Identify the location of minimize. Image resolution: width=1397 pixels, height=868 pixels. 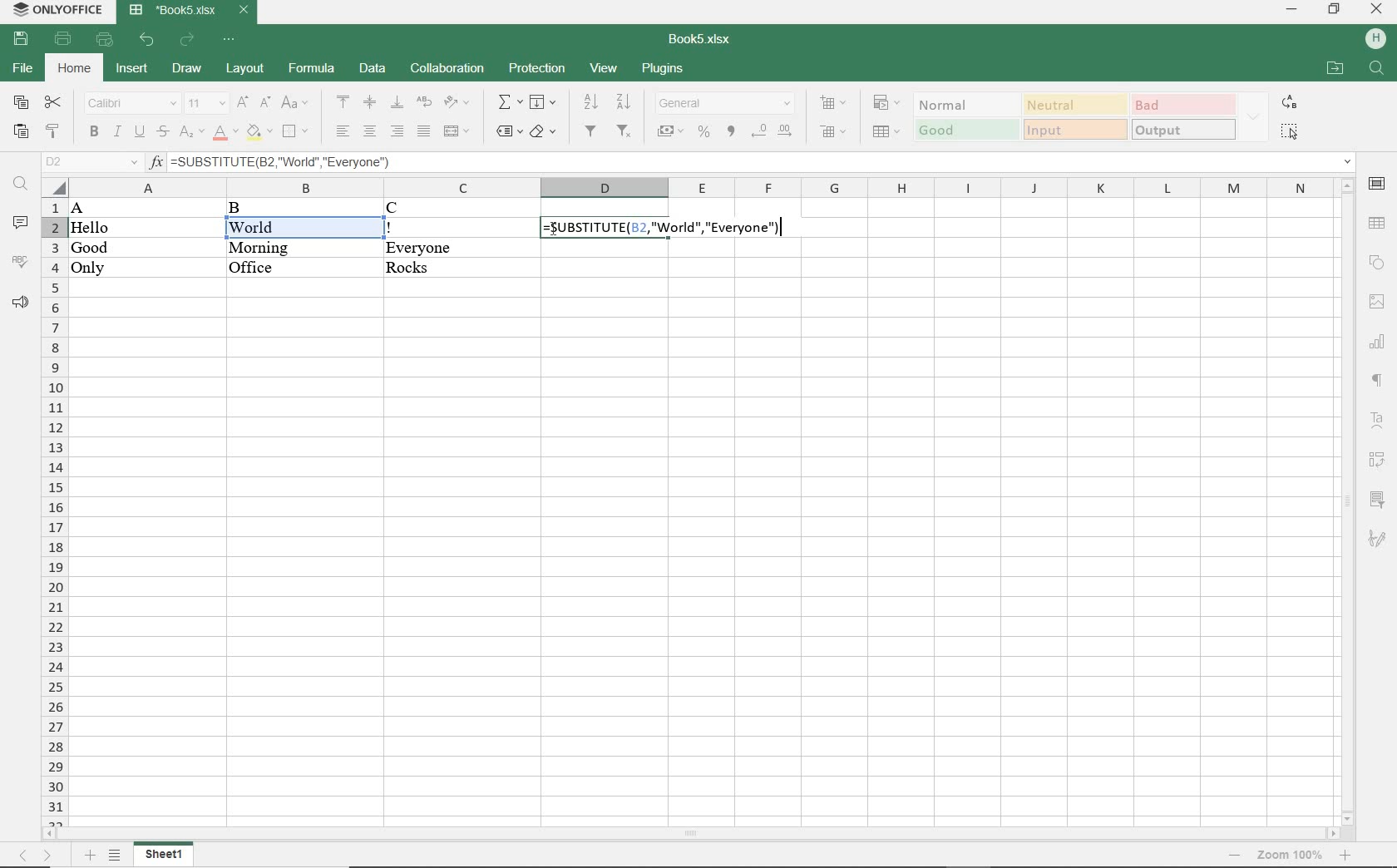
(1295, 11).